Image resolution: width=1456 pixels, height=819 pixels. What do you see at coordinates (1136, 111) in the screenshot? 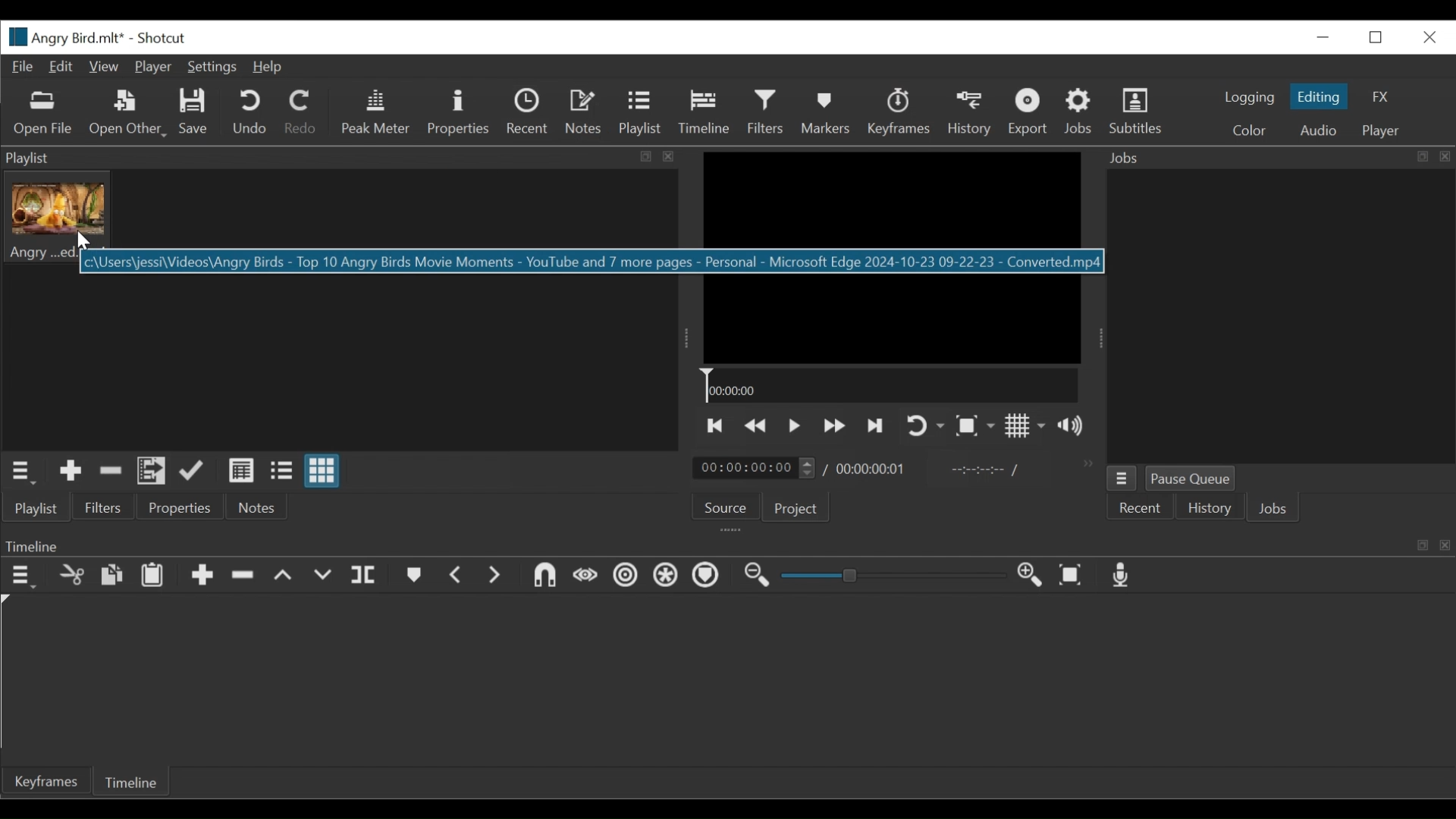
I see `Subtitles` at bounding box center [1136, 111].